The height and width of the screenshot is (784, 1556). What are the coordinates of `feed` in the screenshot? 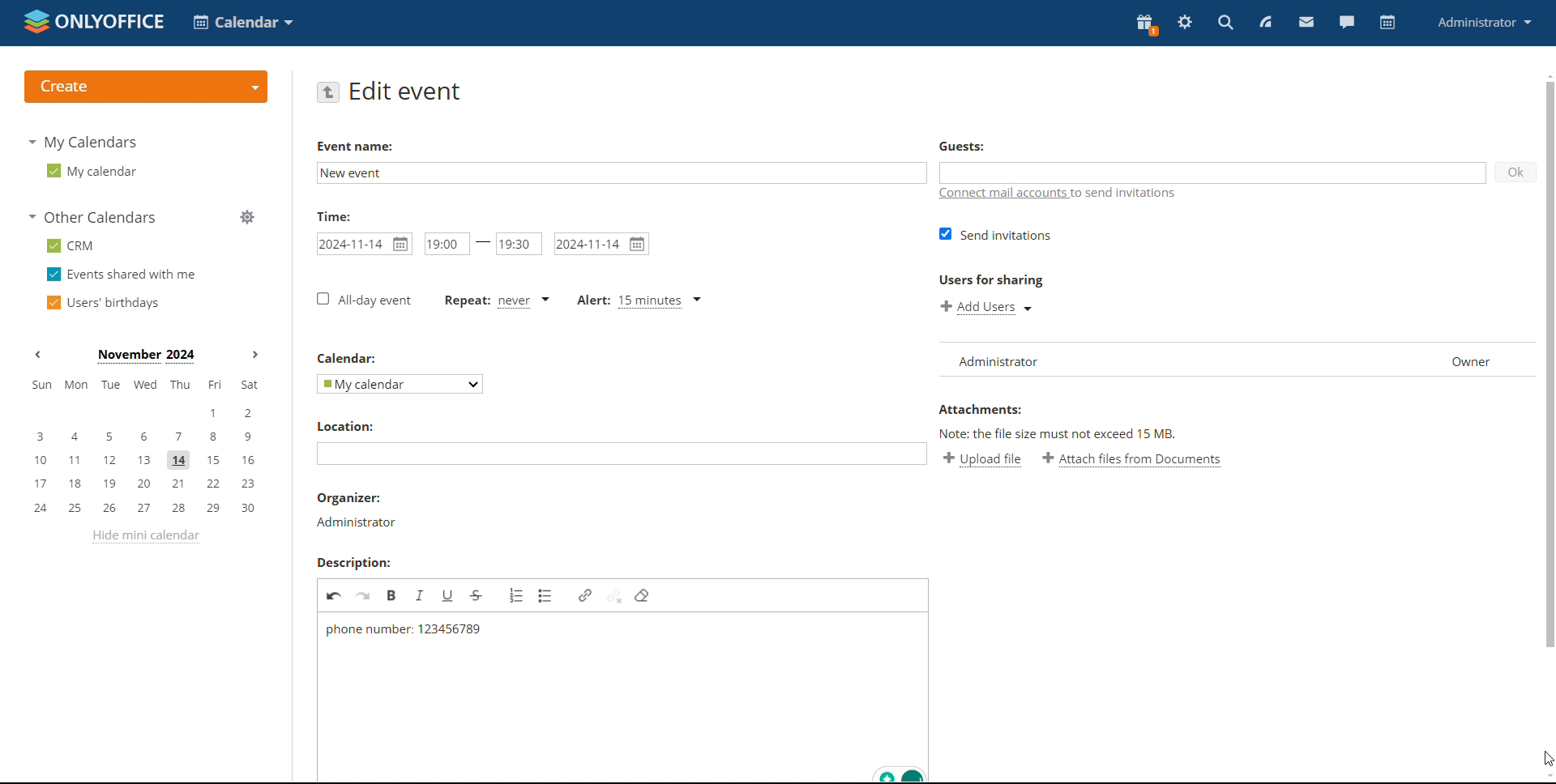 It's located at (1266, 23).